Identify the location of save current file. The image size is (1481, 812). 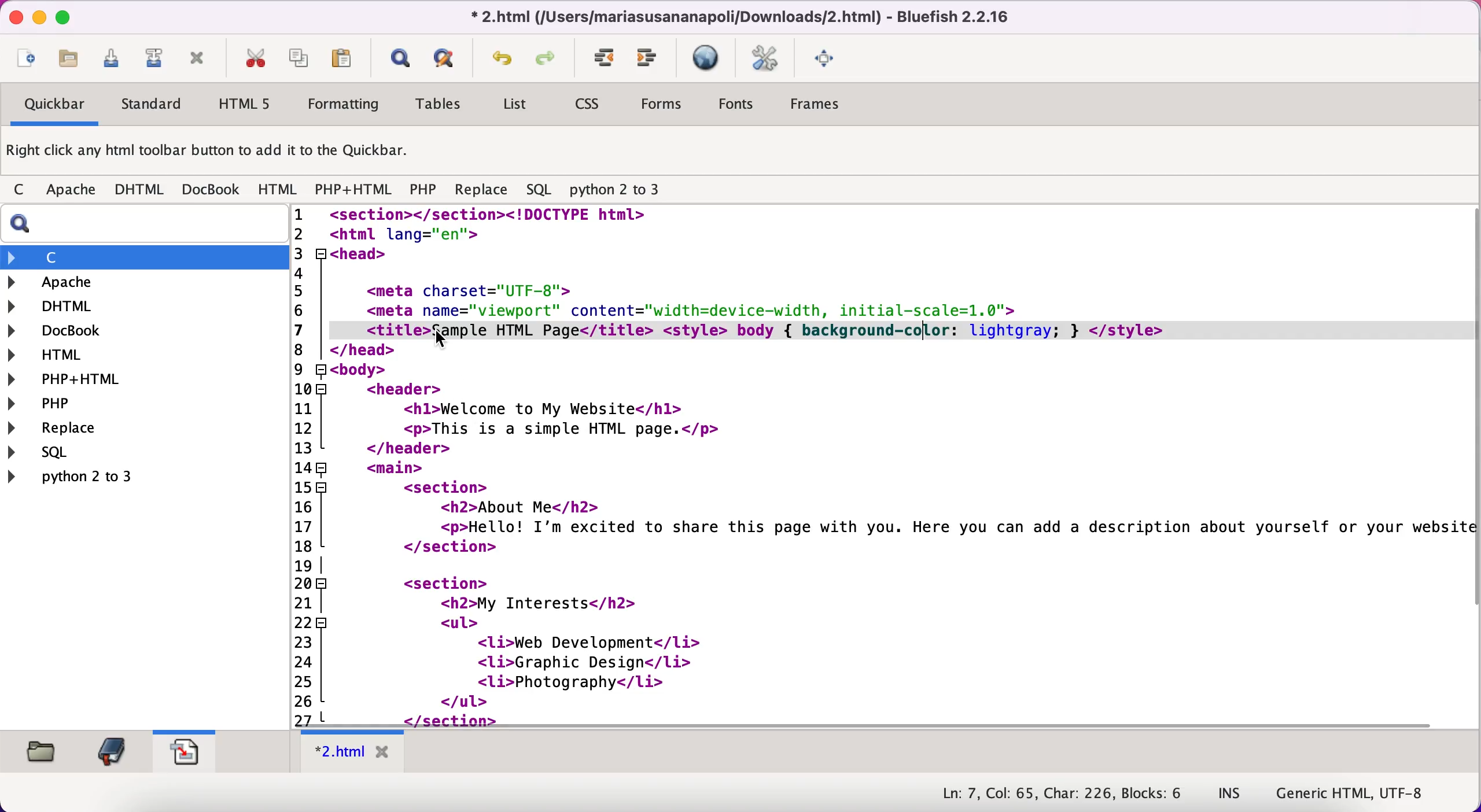
(116, 62).